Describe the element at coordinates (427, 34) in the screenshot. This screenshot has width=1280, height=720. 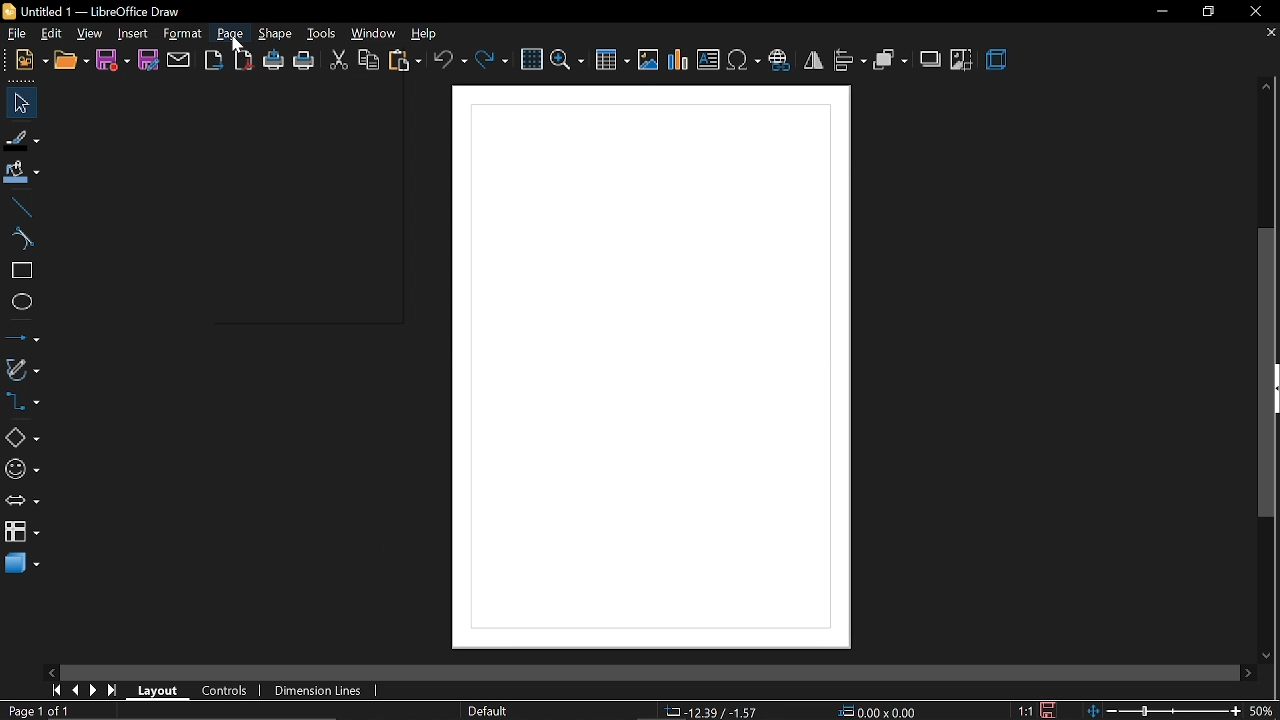
I see `help` at that location.